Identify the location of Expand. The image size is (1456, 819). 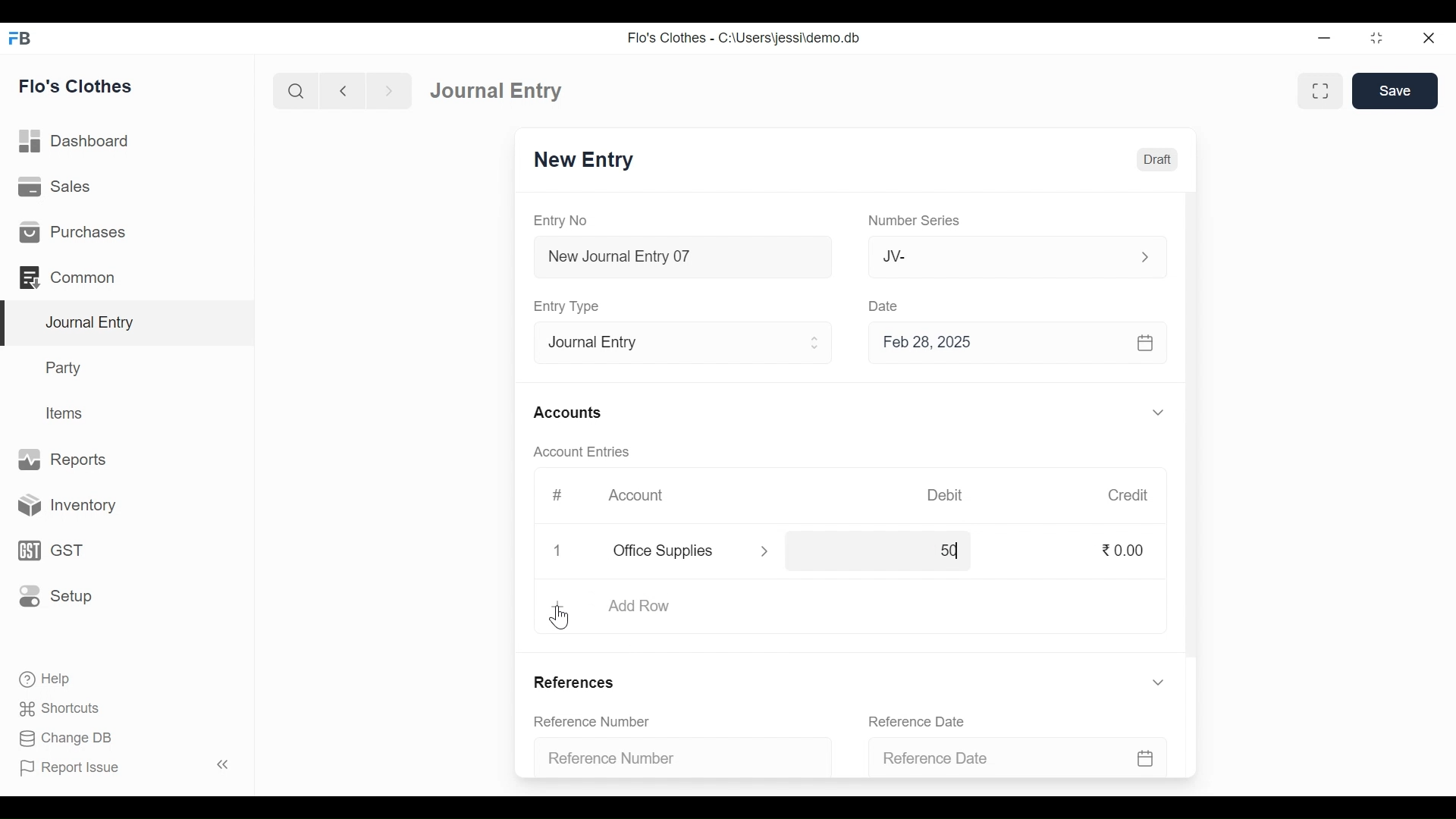
(1144, 257).